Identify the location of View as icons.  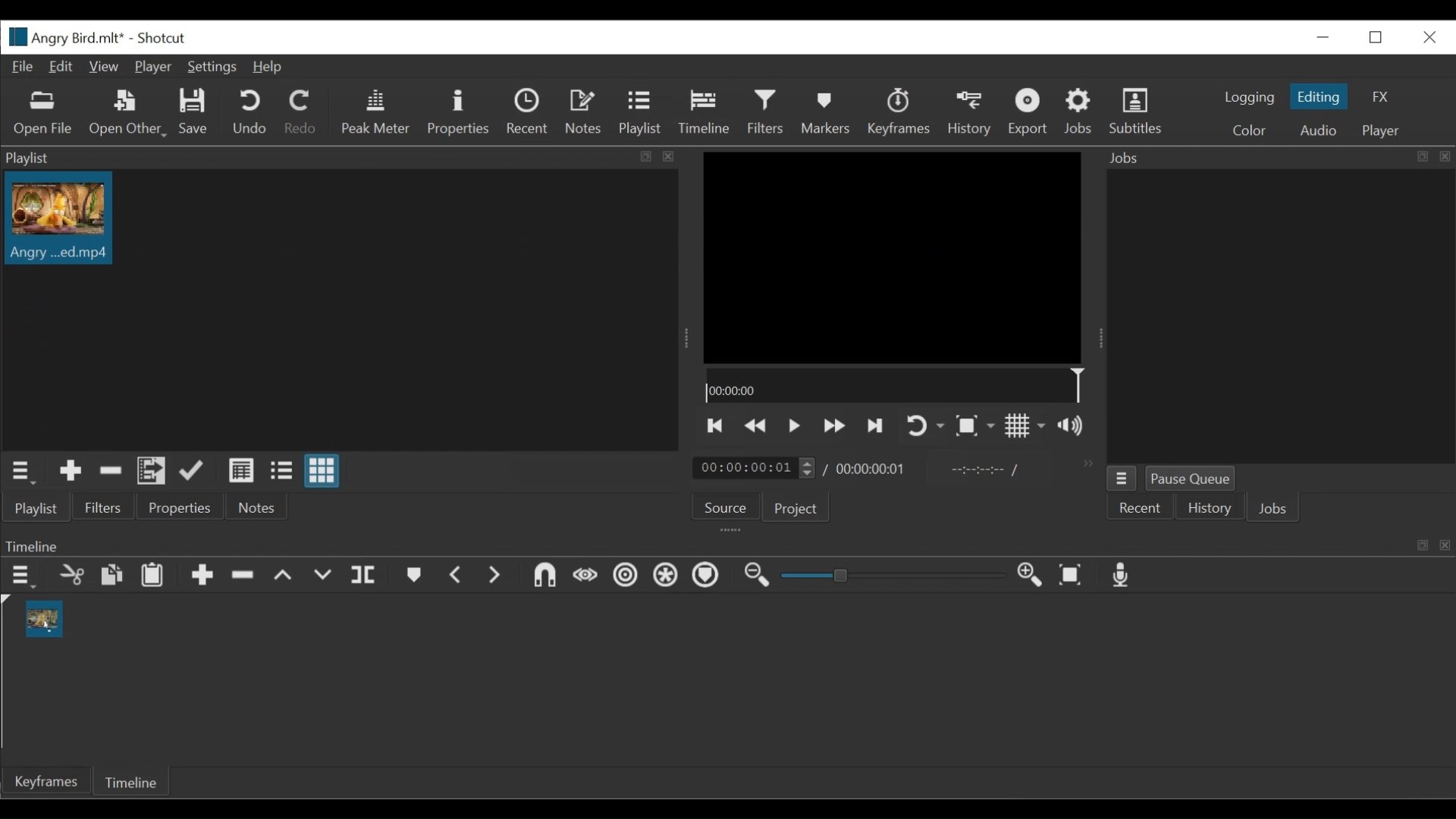
(324, 471).